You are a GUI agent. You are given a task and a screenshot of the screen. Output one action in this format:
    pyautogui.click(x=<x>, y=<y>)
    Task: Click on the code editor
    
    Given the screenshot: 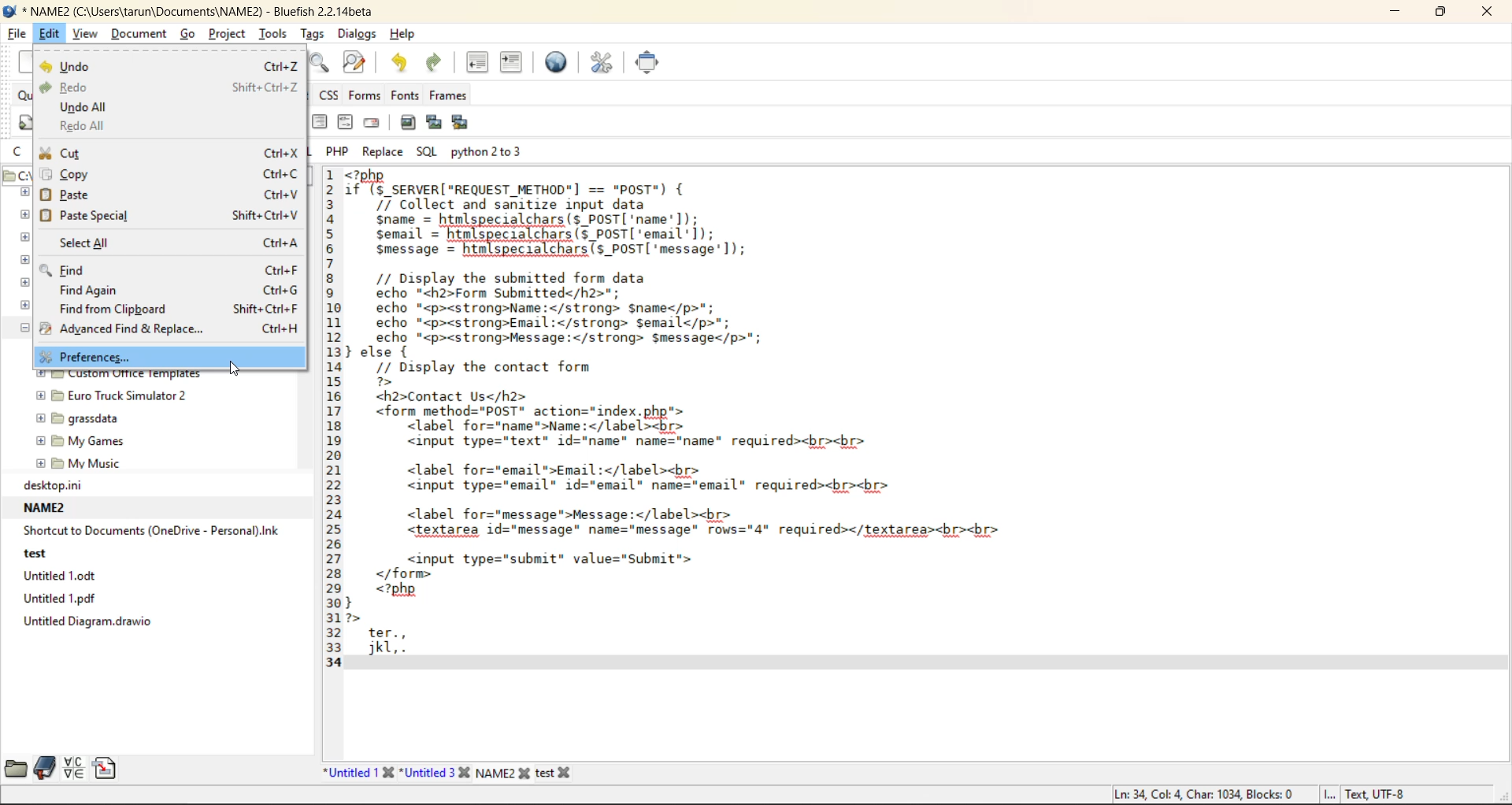 What is the action you would take?
    pyautogui.click(x=694, y=415)
    